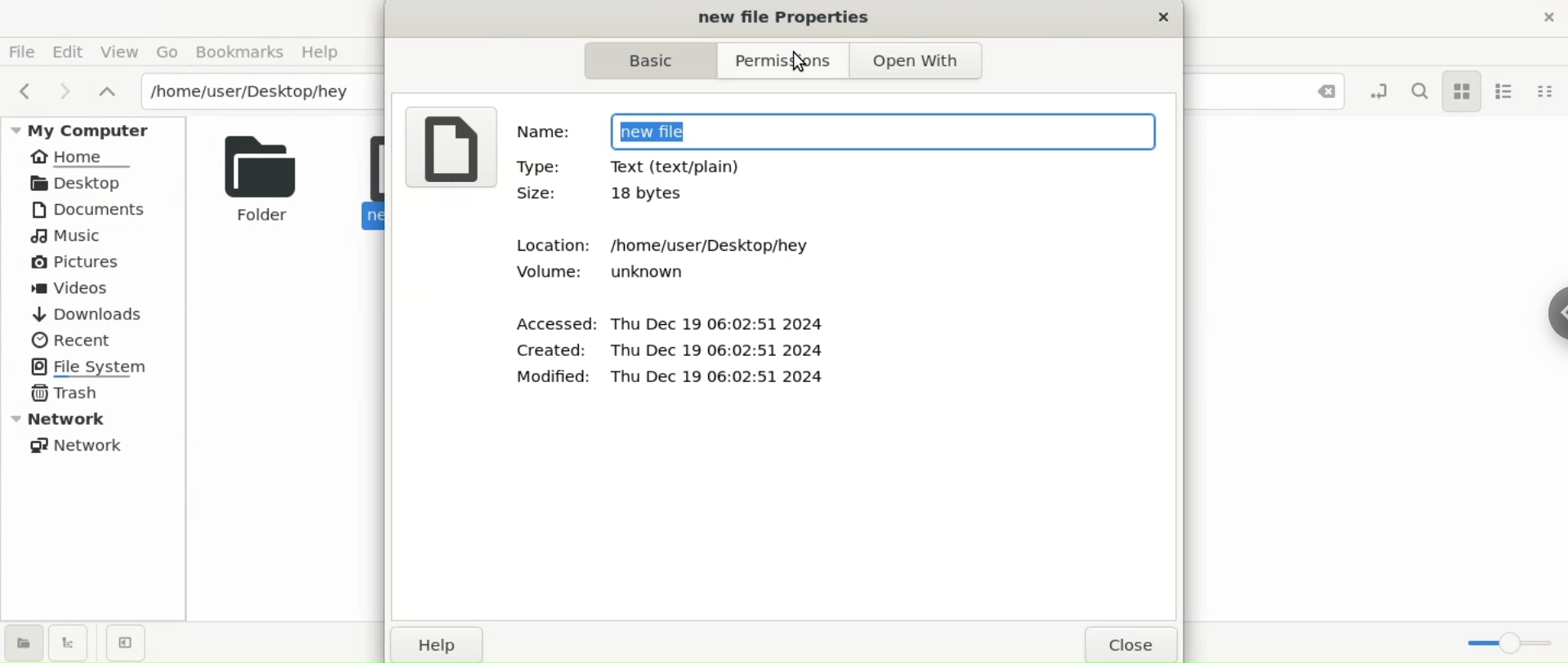 This screenshot has width=1568, height=663. What do you see at coordinates (96, 366) in the screenshot?
I see `File System` at bounding box center [96, 366].